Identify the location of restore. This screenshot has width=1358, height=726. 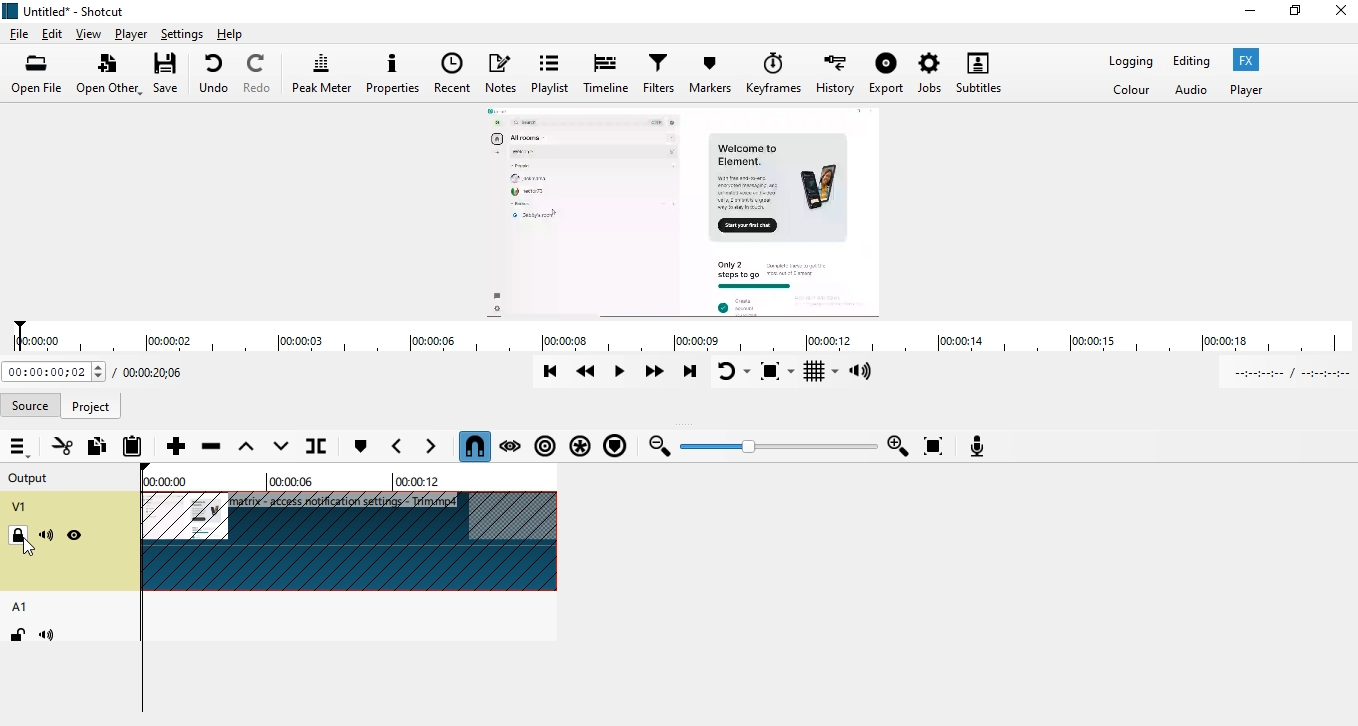
(1295, 10).